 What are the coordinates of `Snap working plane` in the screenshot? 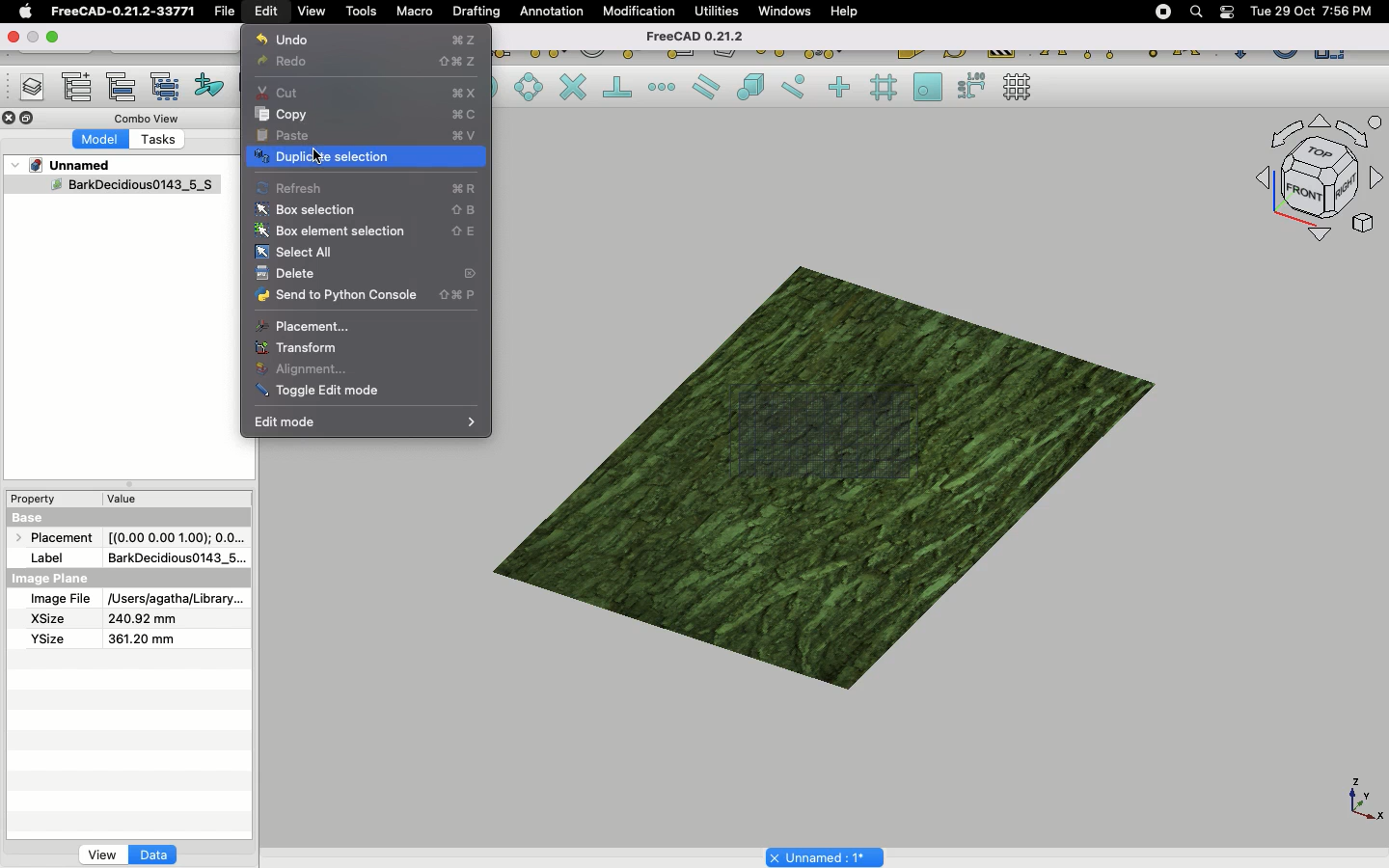 It's located at (928, 89).